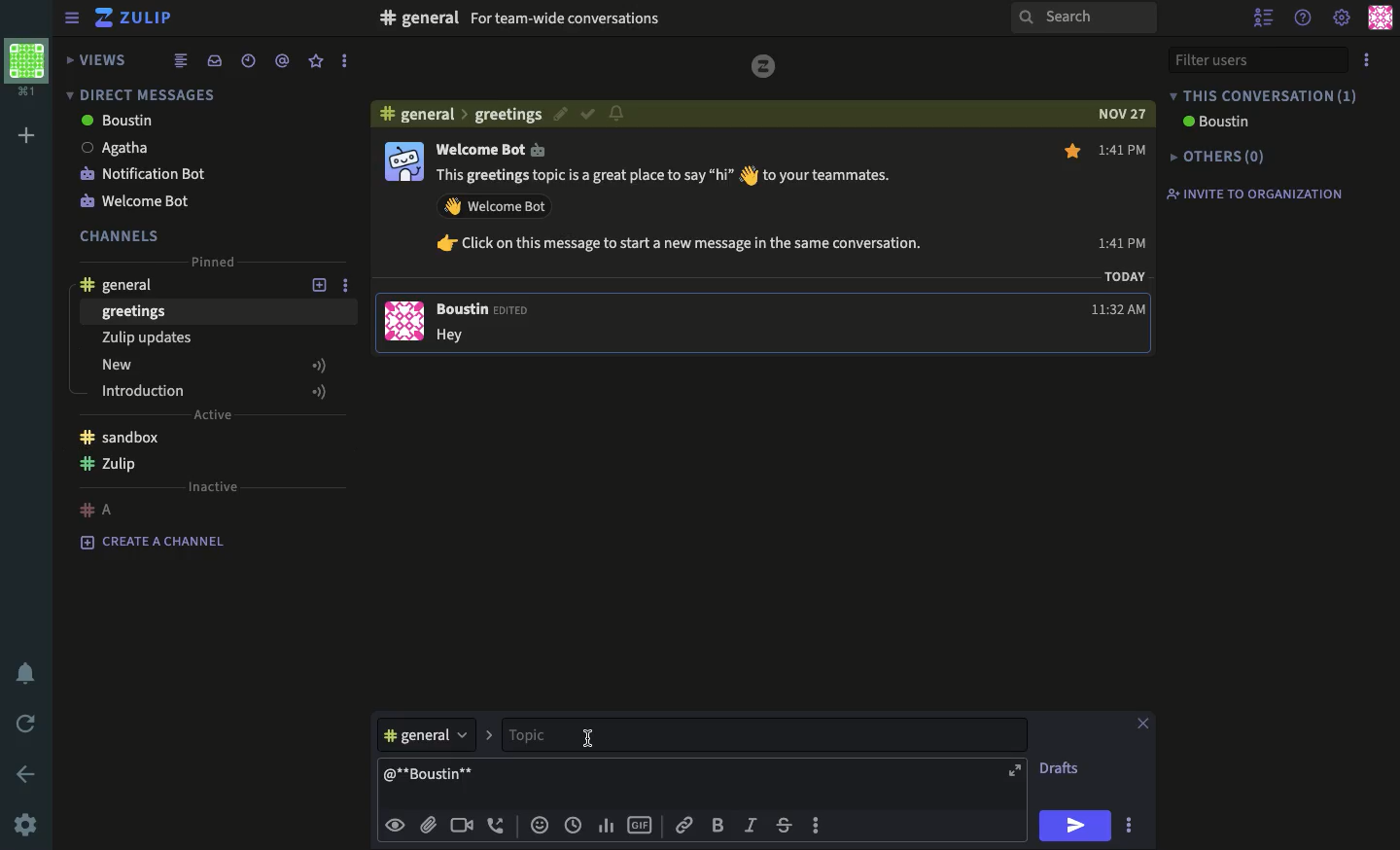  What do you see at coordinates (643, 823) in the screenshot?
I see `gif` at bounding box center [643, 823].